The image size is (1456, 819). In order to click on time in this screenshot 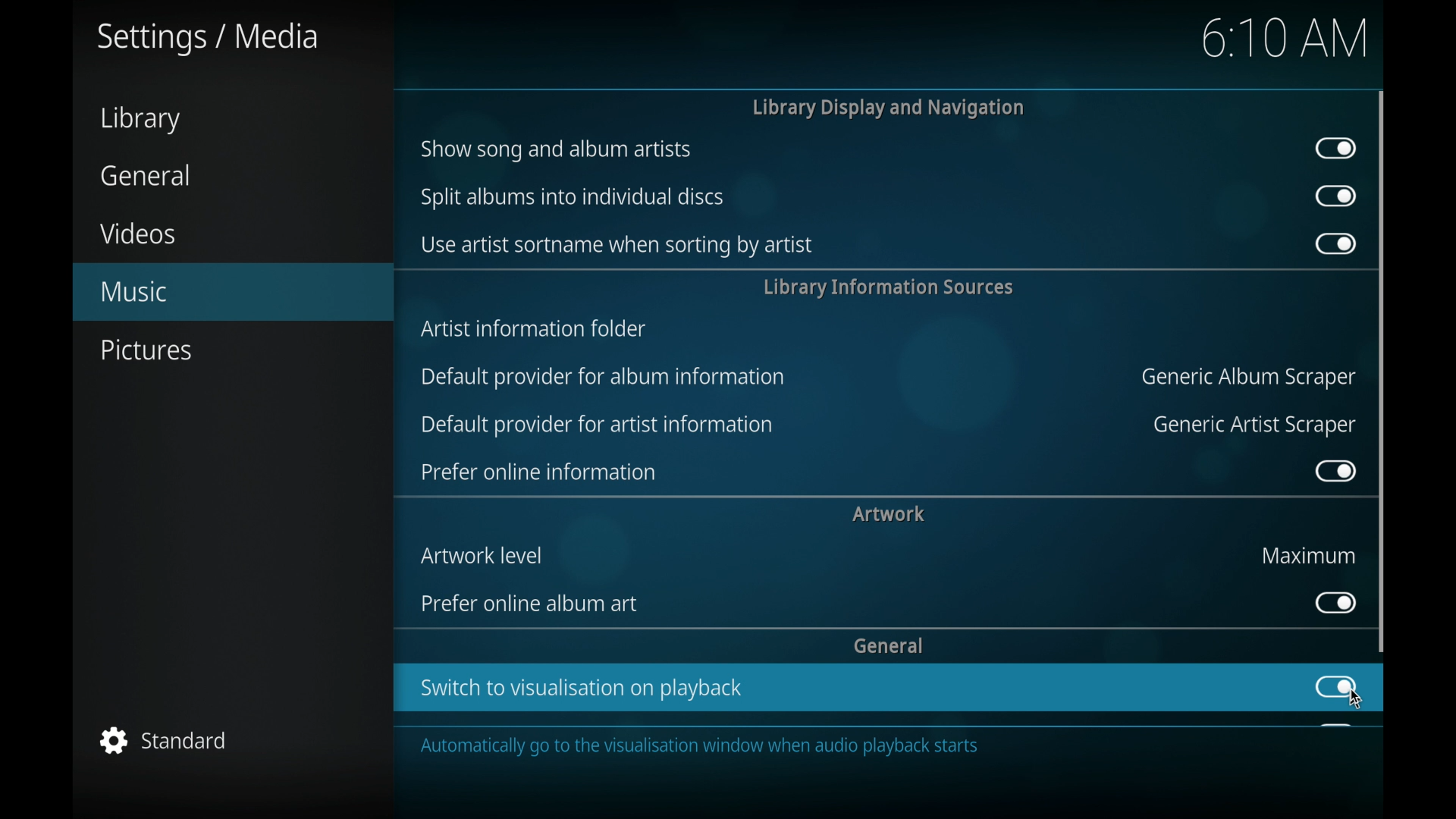, I will do `click(1285, 37)`.